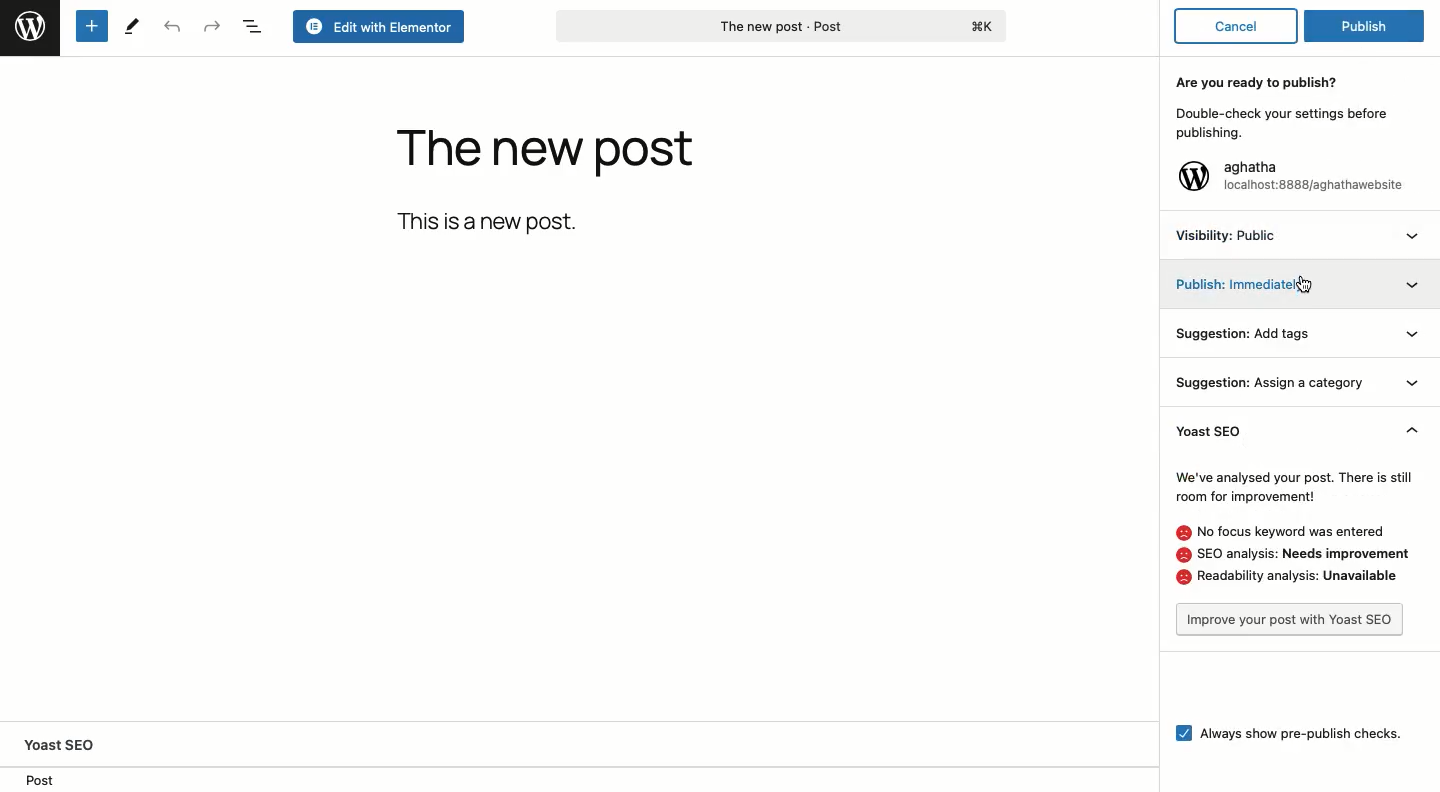  What do you see at coordinates (1282, 124) in the screenshot?
I see `Double-check your settings before publishing.` at bounding box center [1282, 124].